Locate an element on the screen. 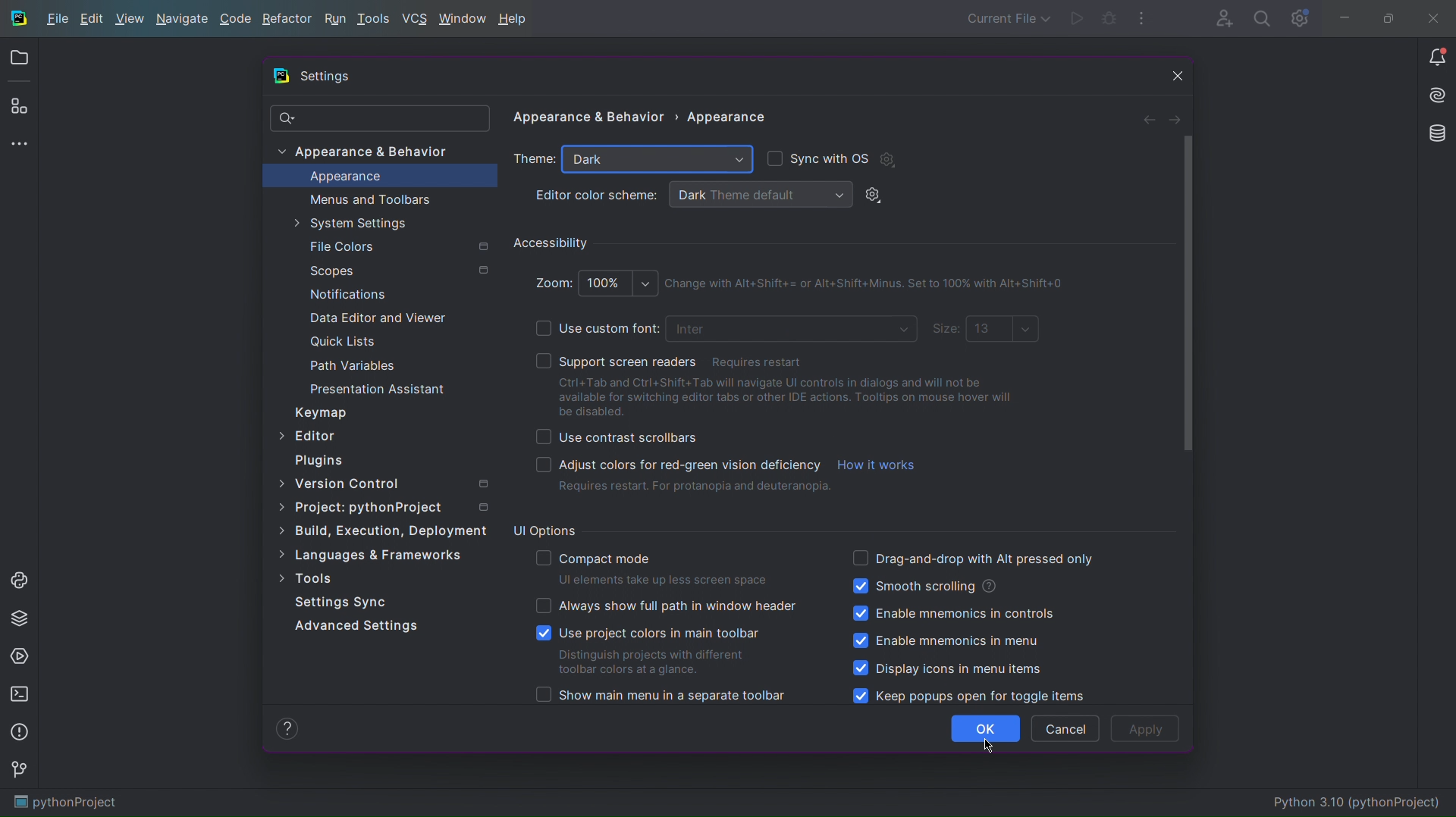 The image size is (1456, 817). Check Bugs is located at coordinates (1110, 17).